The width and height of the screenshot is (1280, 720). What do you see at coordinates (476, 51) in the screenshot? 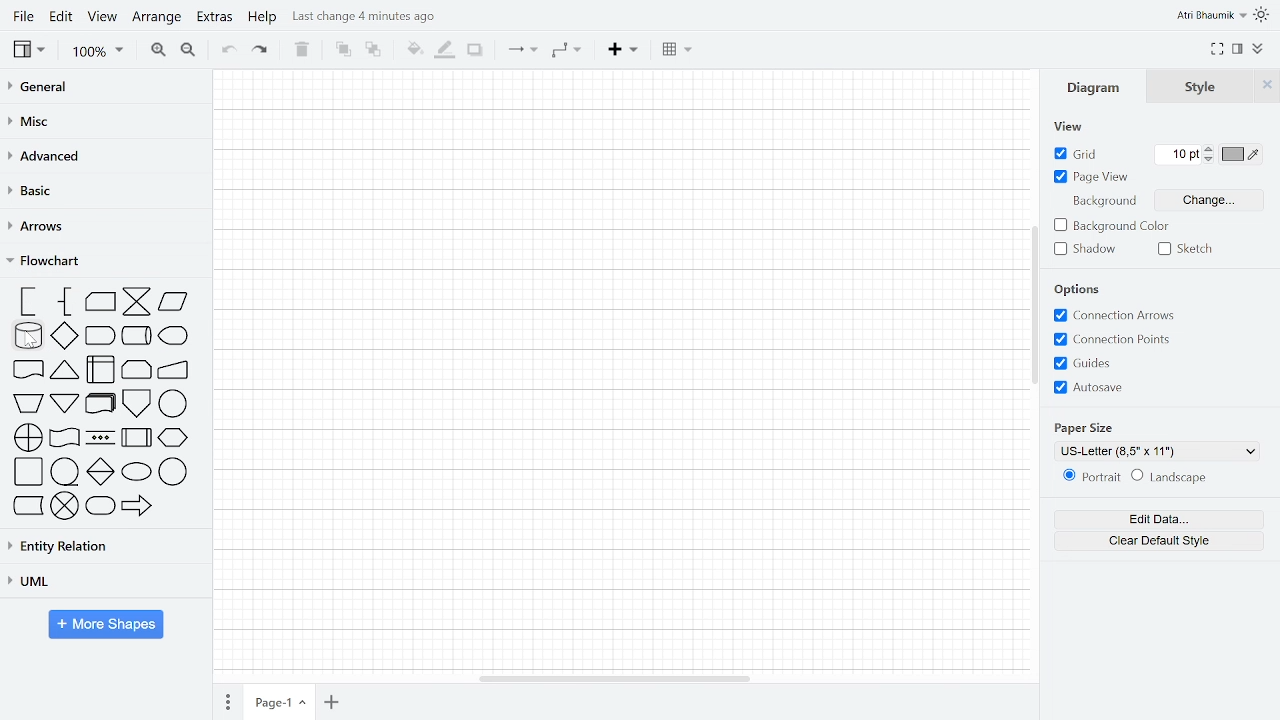
I see `Shadow` at bounding box center [476, 51].